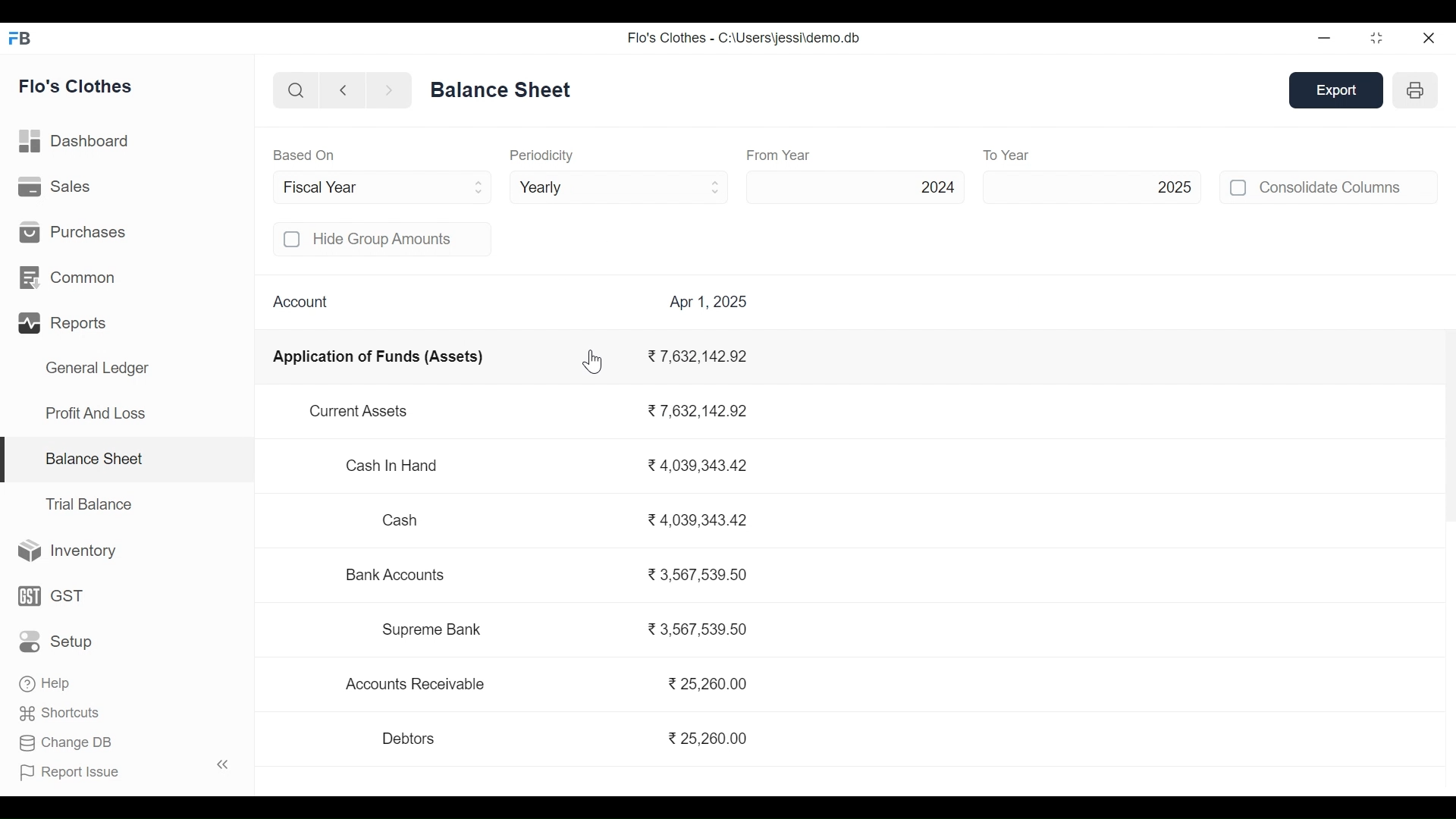  Describe the element at coordinates (563, 520) in the screenshot. I see `Cash %4,039,343.42` at that location.